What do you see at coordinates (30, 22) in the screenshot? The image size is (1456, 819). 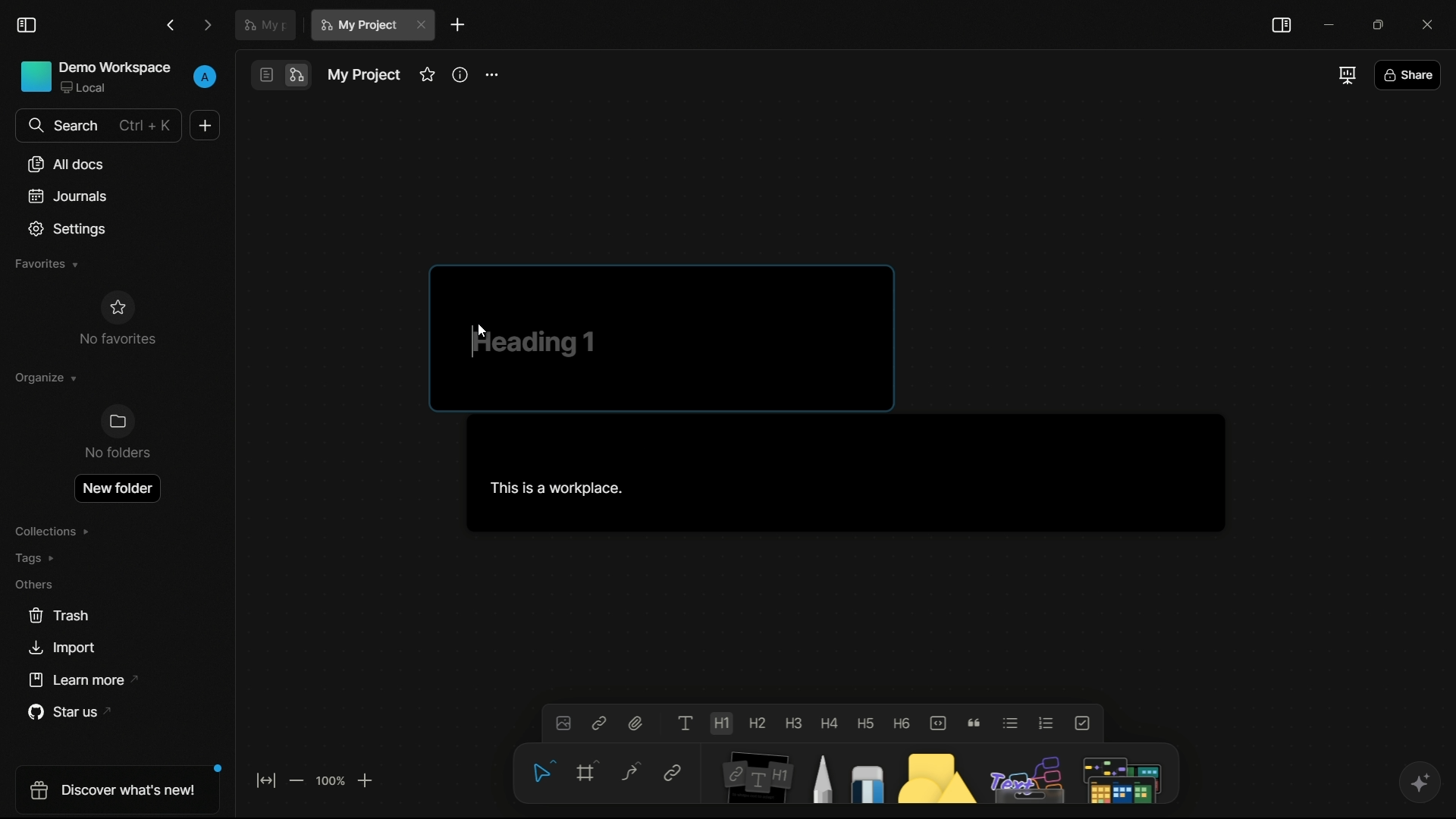 I see `toggle sidebar` at bounding box center [30, 22].